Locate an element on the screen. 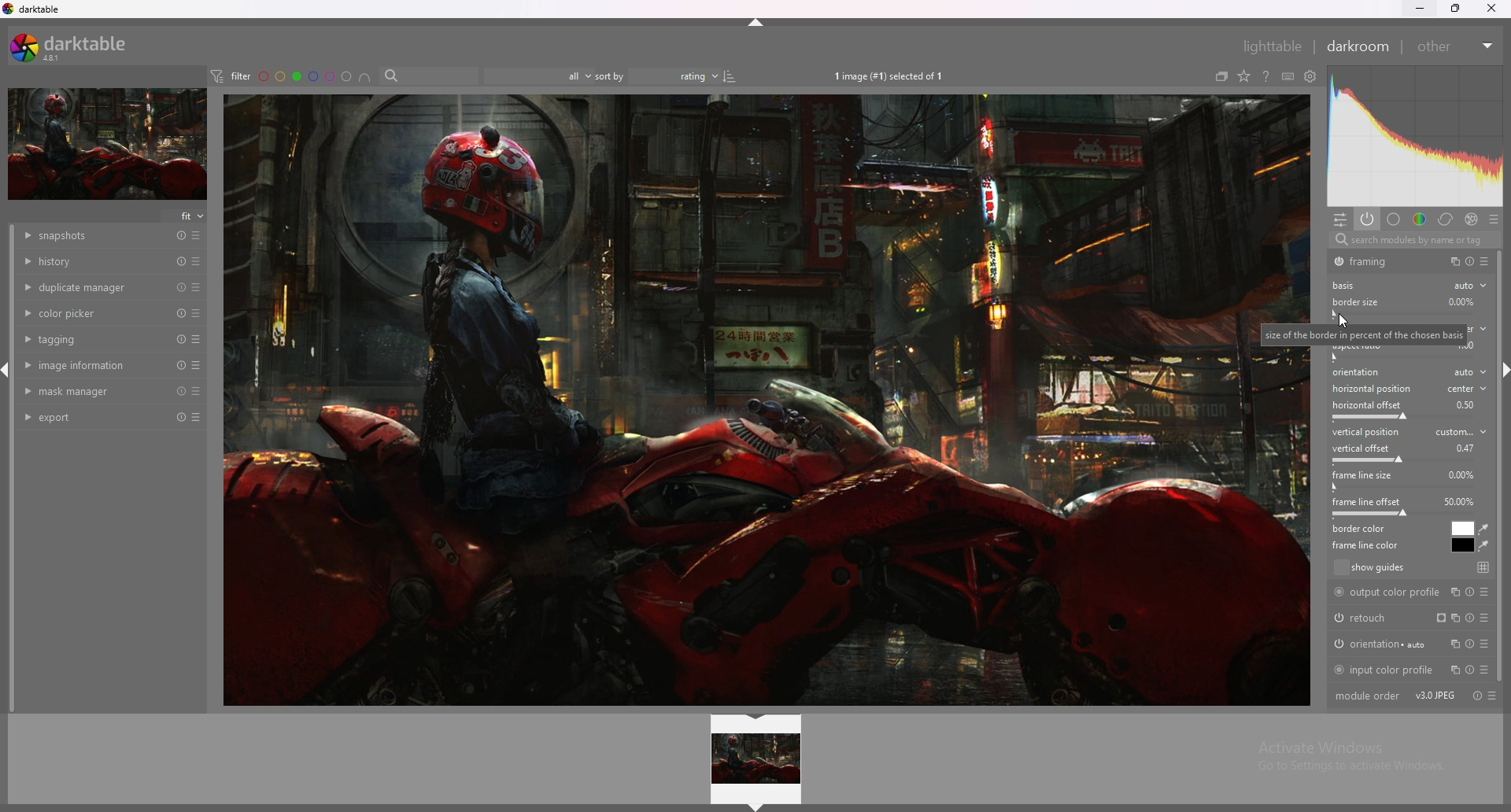  snapshots is located at coordinates (96, 237).